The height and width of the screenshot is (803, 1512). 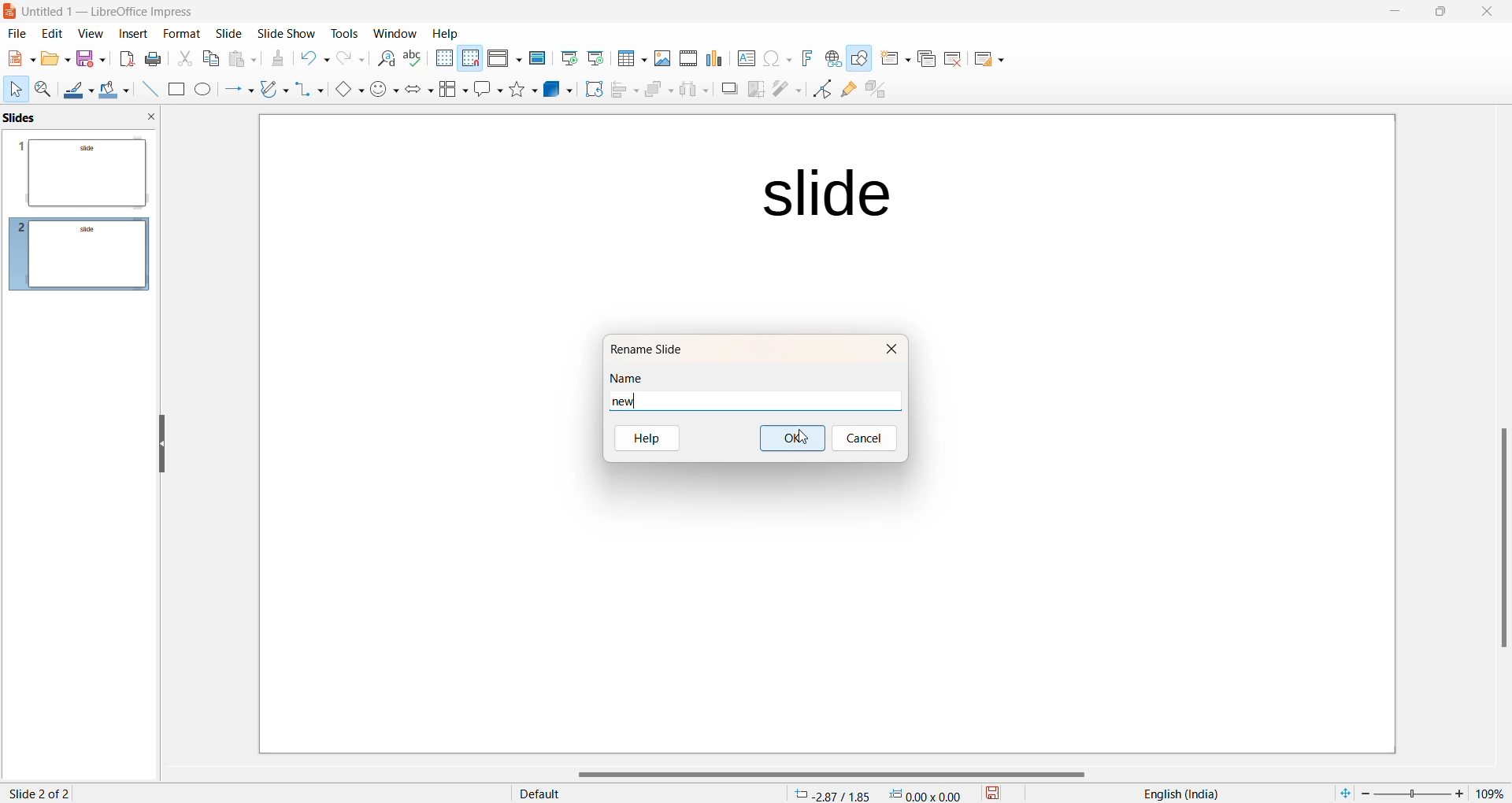 I want to click on Show glue point function, so click(x=847, y=90).